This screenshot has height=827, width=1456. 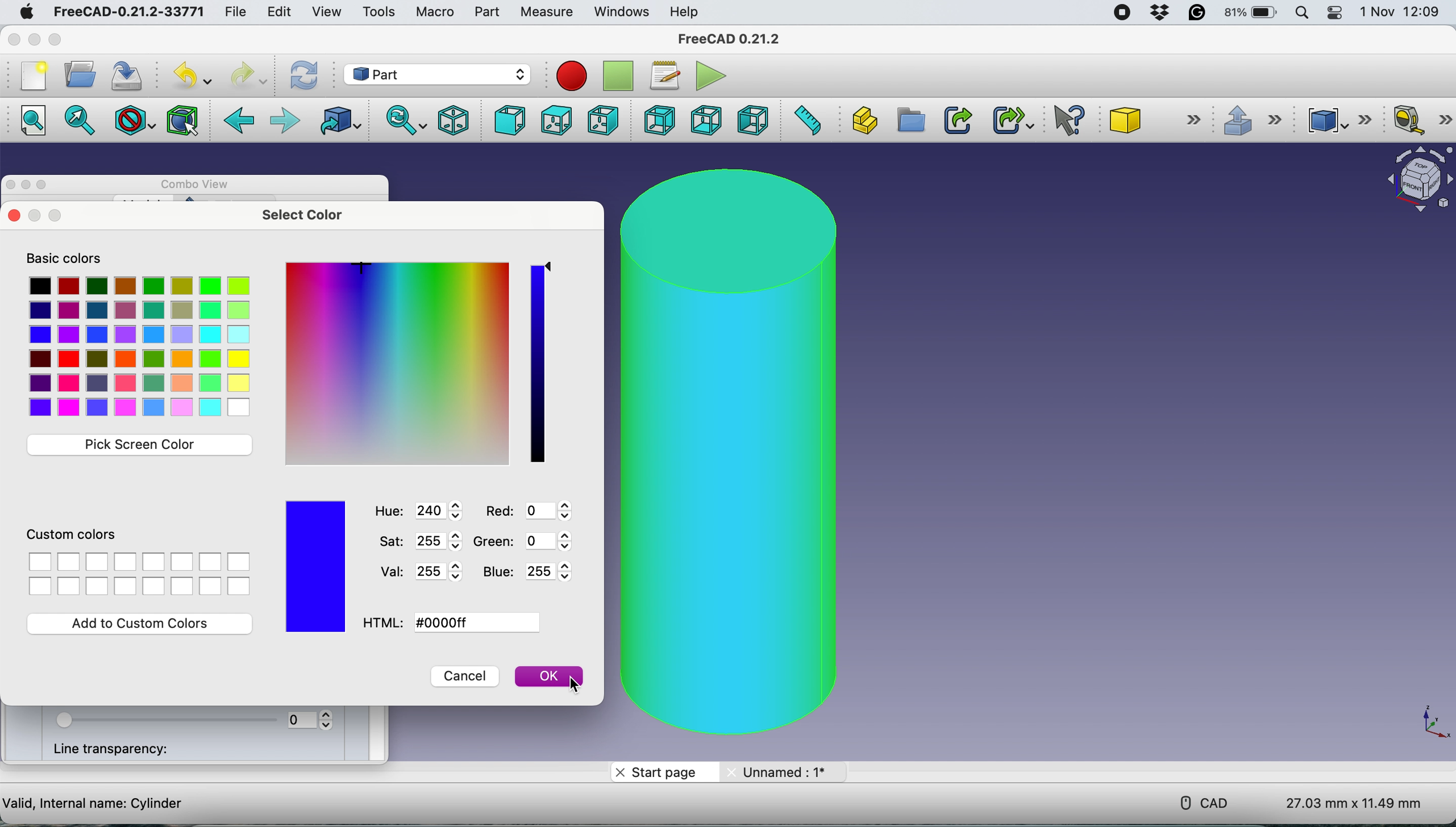 What do you see at coordinates (1304, 13) in the screenshot?
I see `spotlight search` at bounding box center [1304, 13].